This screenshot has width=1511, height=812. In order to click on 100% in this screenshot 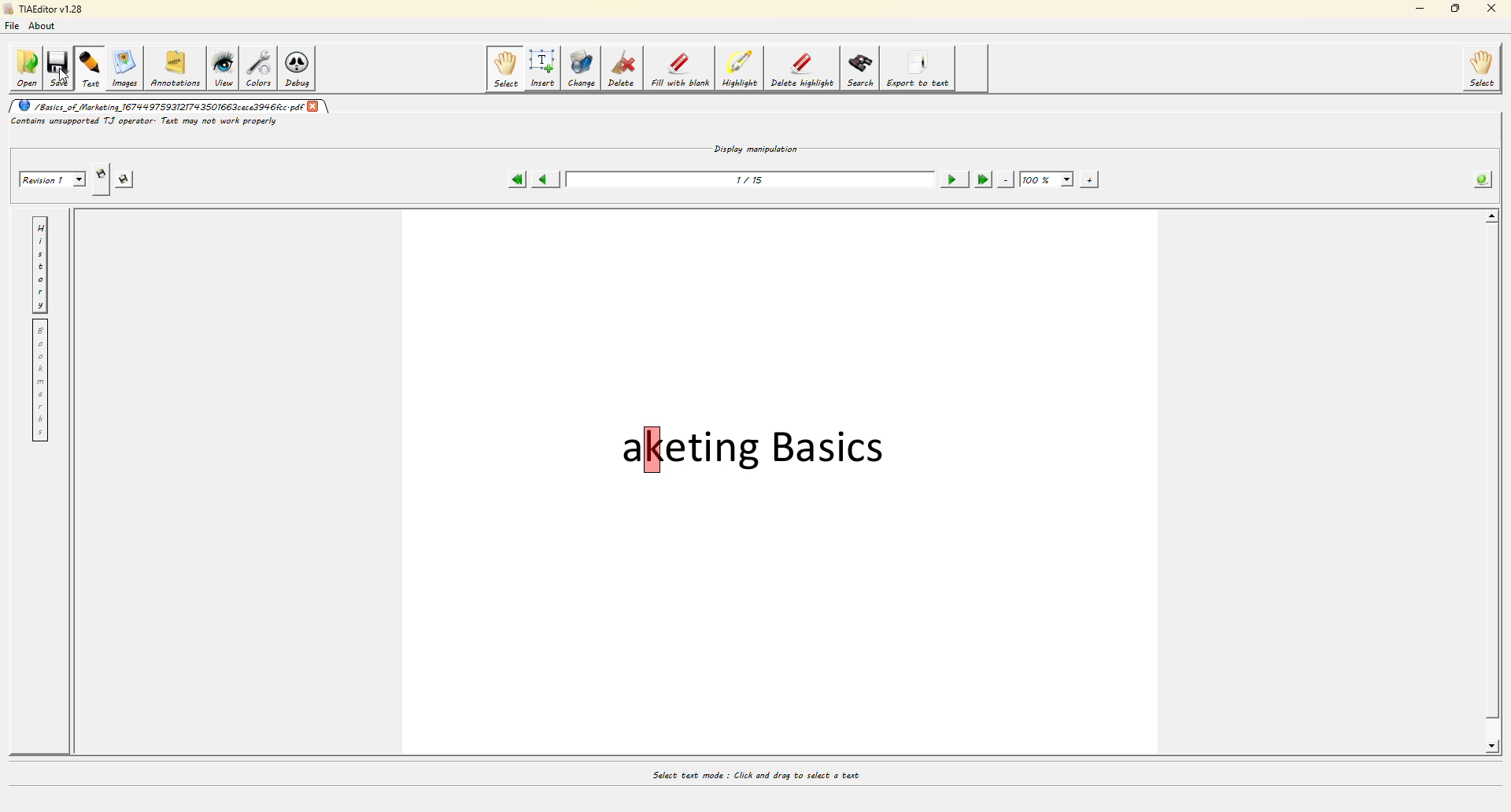, I will do `click(1046, 176)`.